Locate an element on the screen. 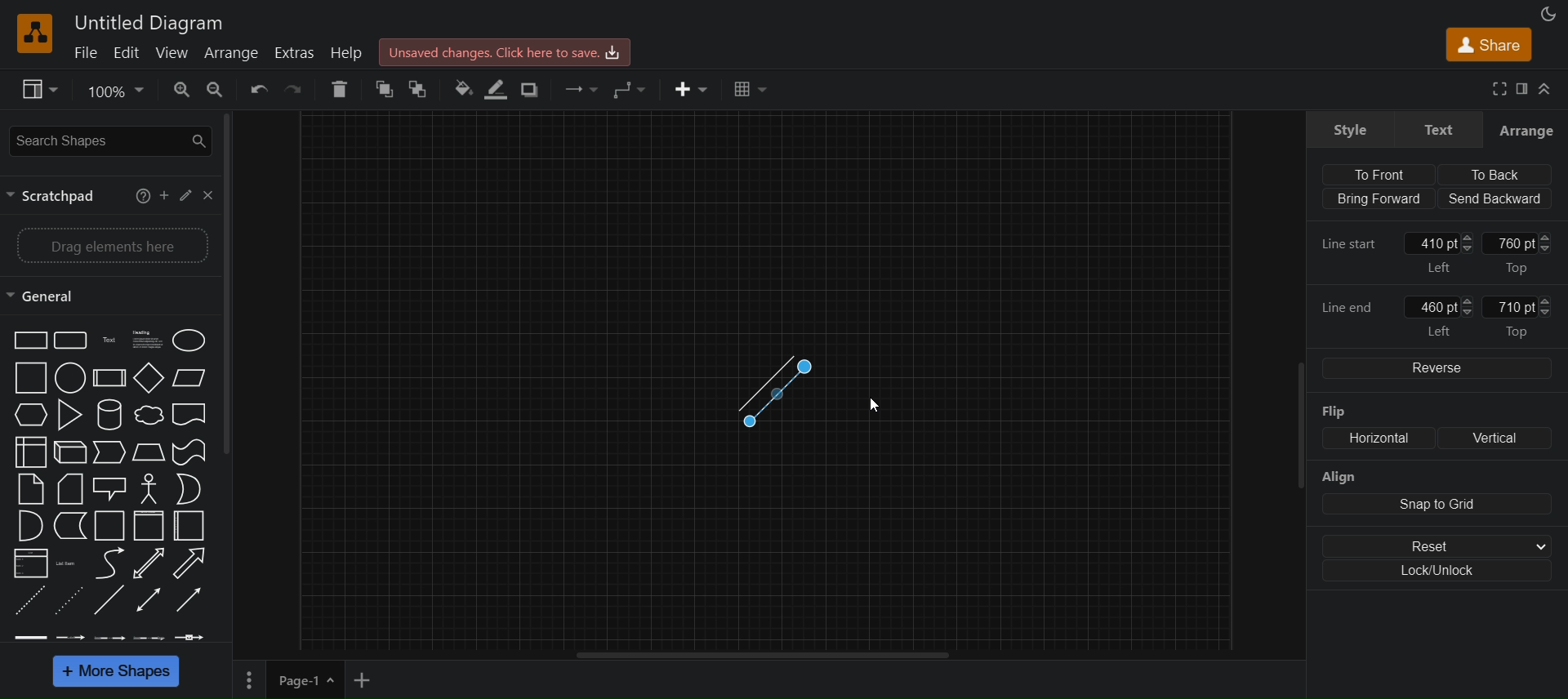  fullscreen is located at coordinates (1501, 90).